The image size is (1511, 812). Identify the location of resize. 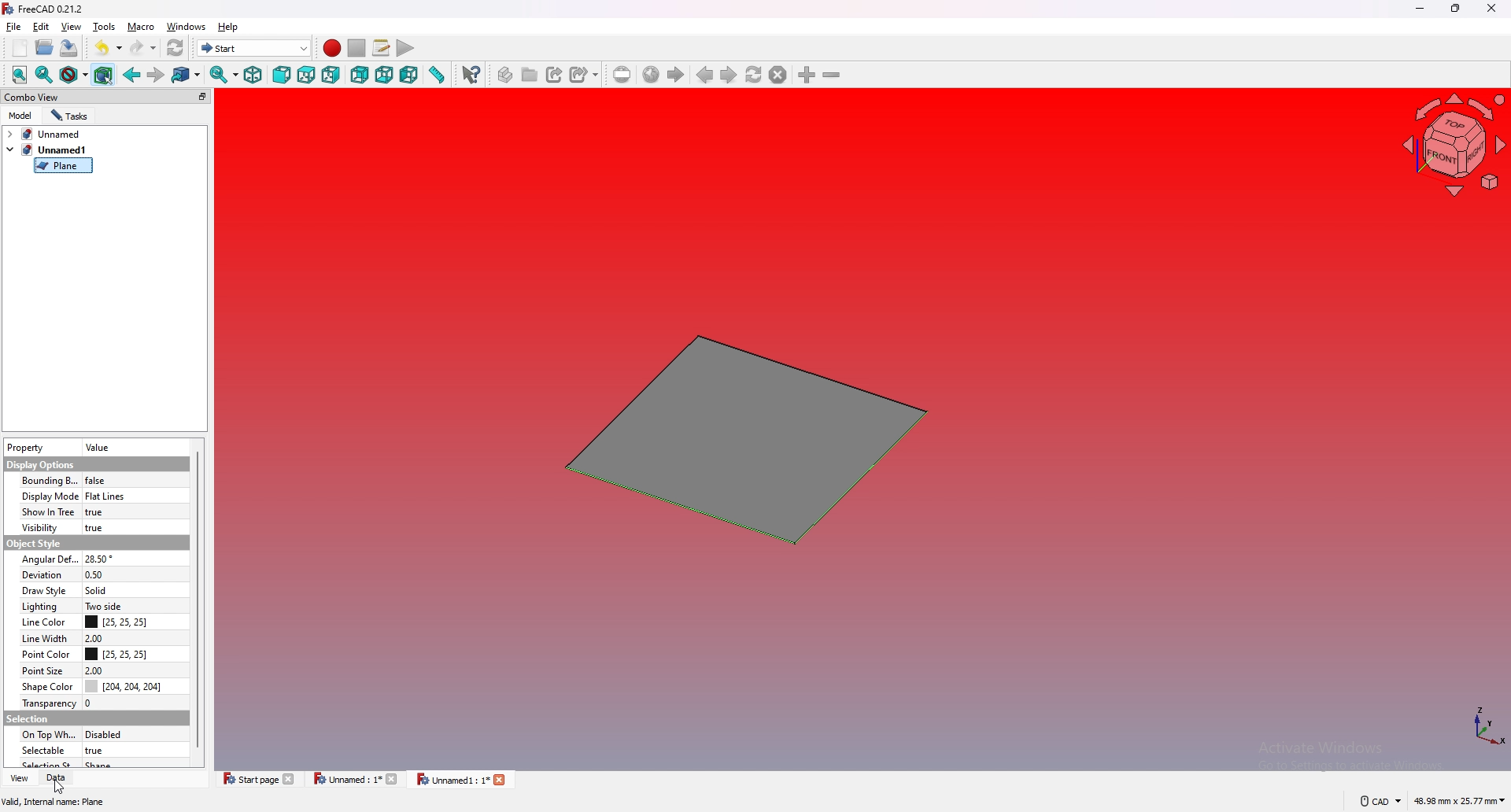
(1457, 9).